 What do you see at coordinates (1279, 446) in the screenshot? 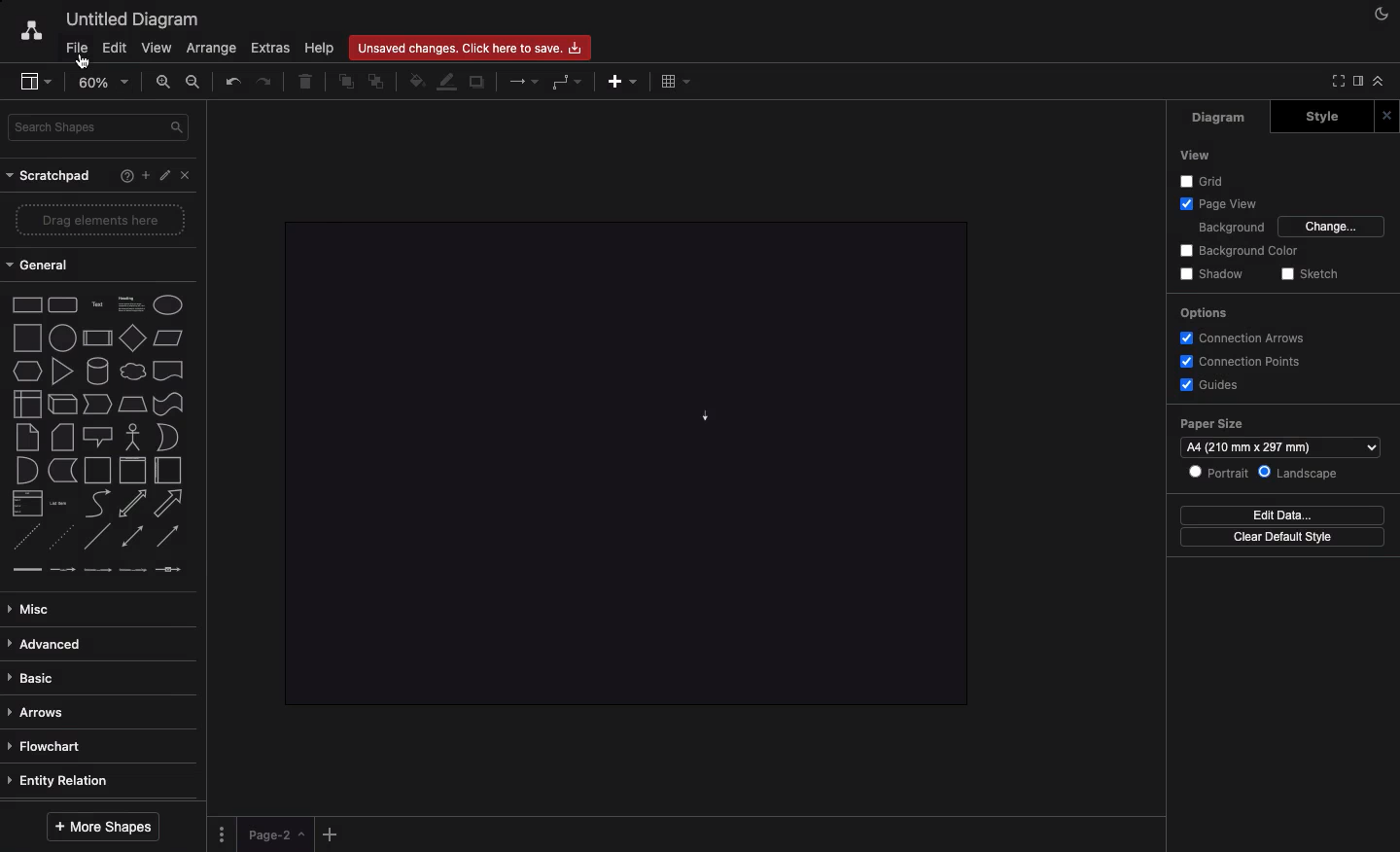
I see `A4 (210 mm x 297 mm)` at bounding box center [1279, 446].